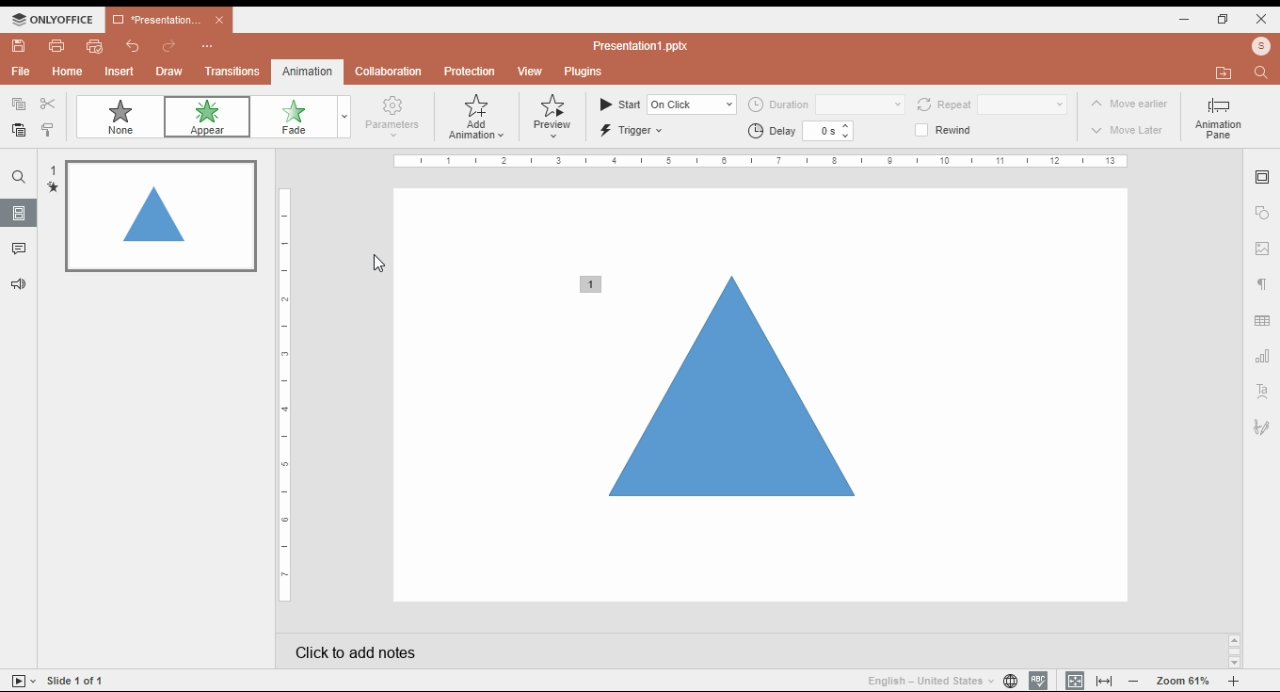 This screenshot has width=1280, height=692. I want to click on table  setting, so click(1260, 319).